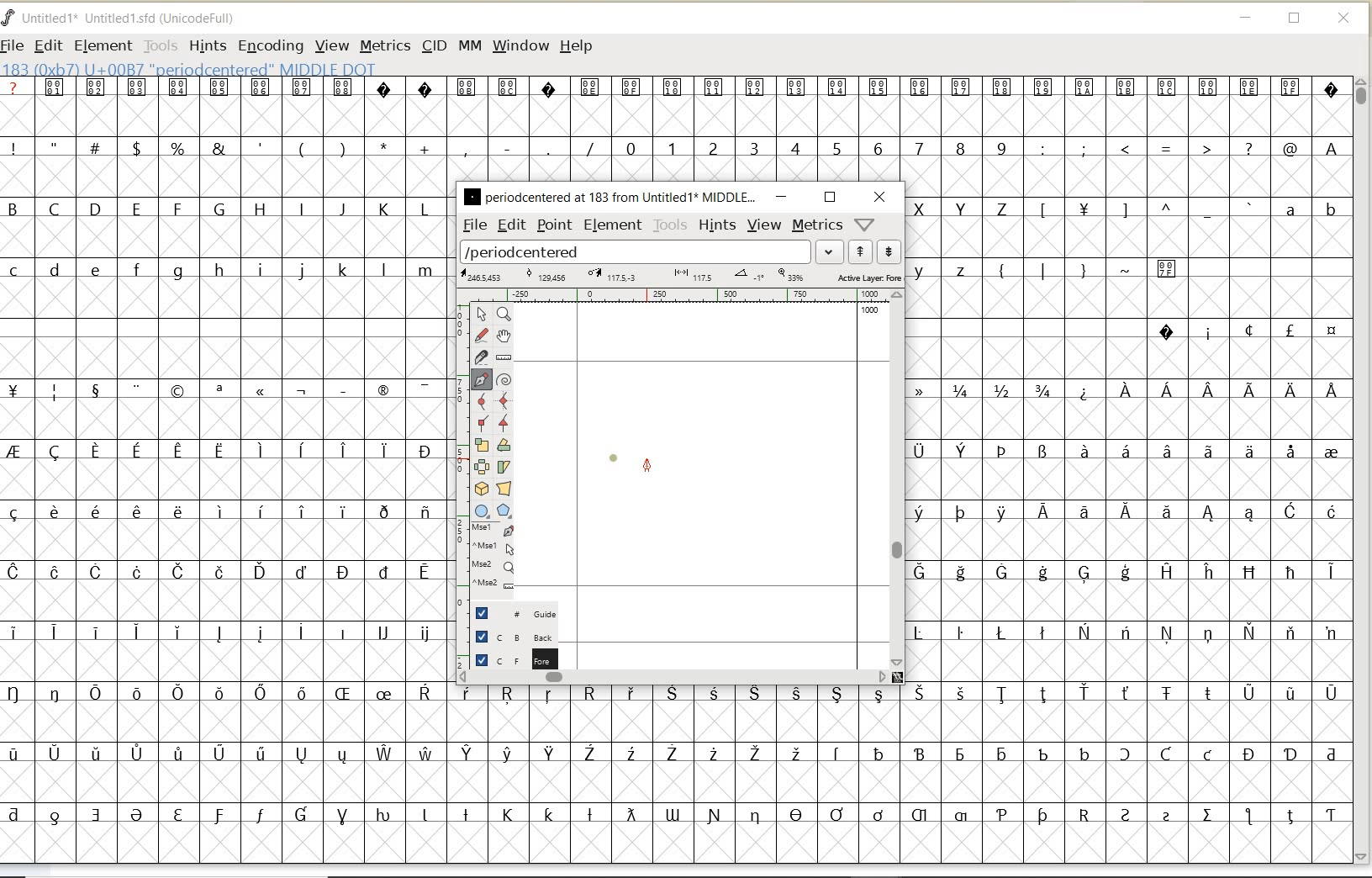 Image resolution: width=1372 pixels, height=878 pixels. I want to click on change whether spiro is active or not, so click(504, 378).